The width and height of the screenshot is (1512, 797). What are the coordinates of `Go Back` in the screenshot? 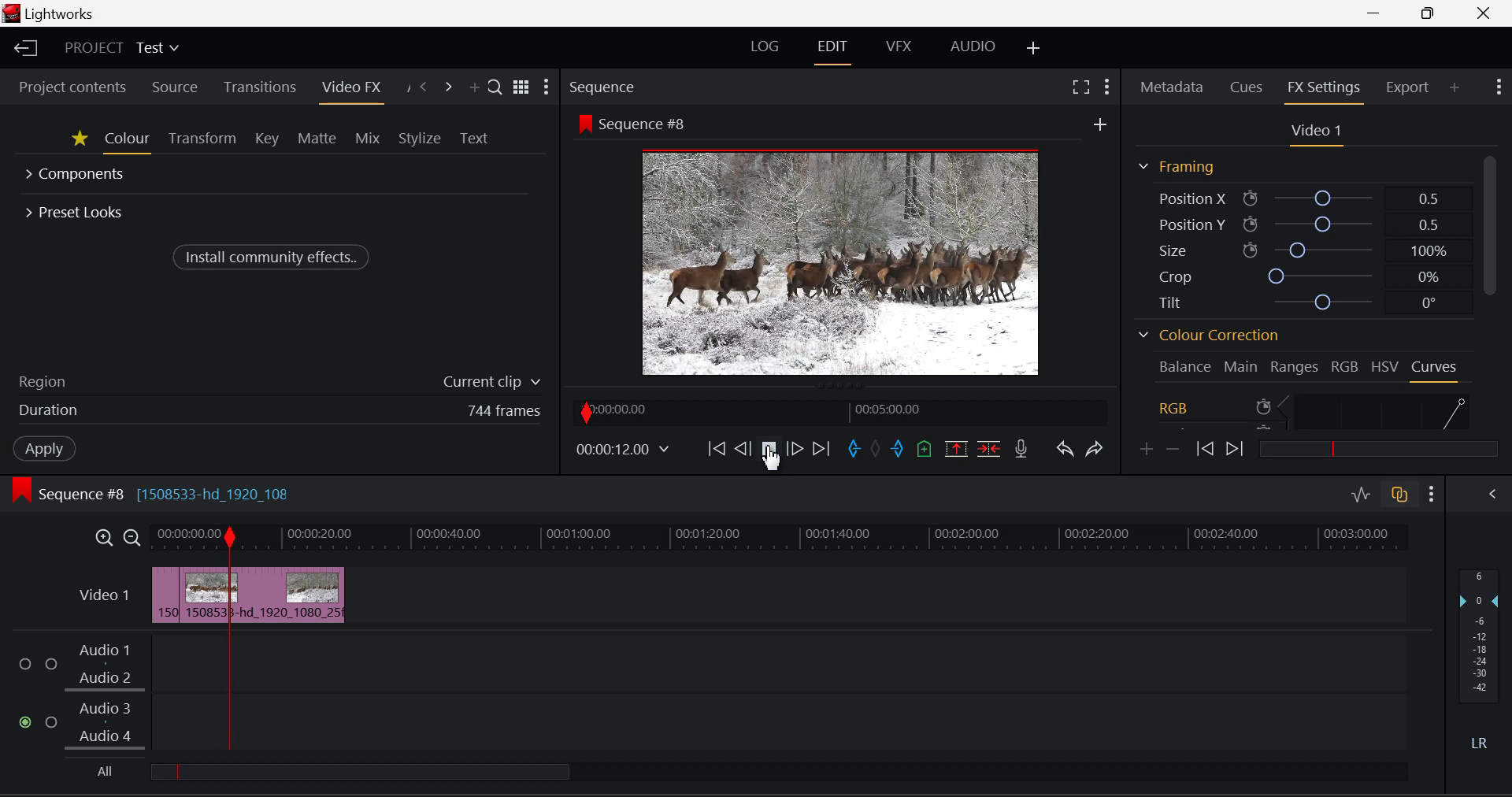 It's located at (743, 447).